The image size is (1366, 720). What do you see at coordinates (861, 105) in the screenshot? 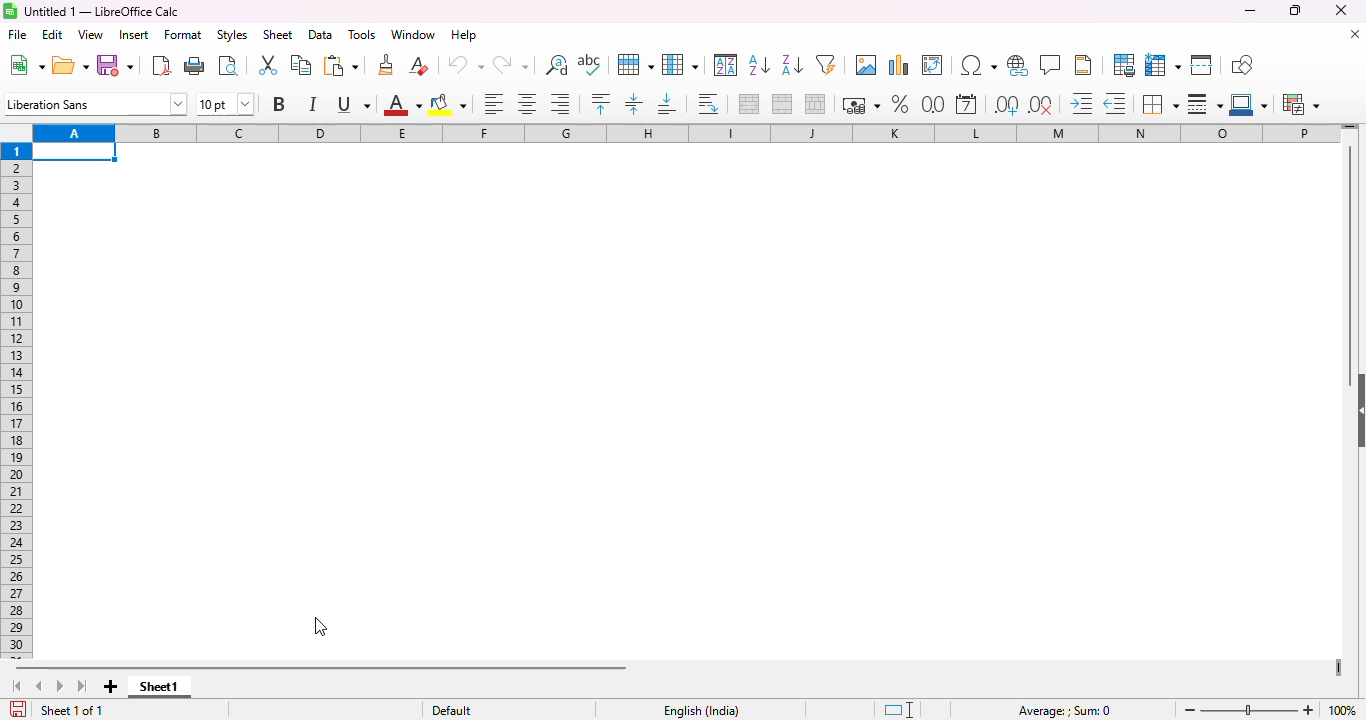
I see `format as currency` at bounding box center [861, 105].